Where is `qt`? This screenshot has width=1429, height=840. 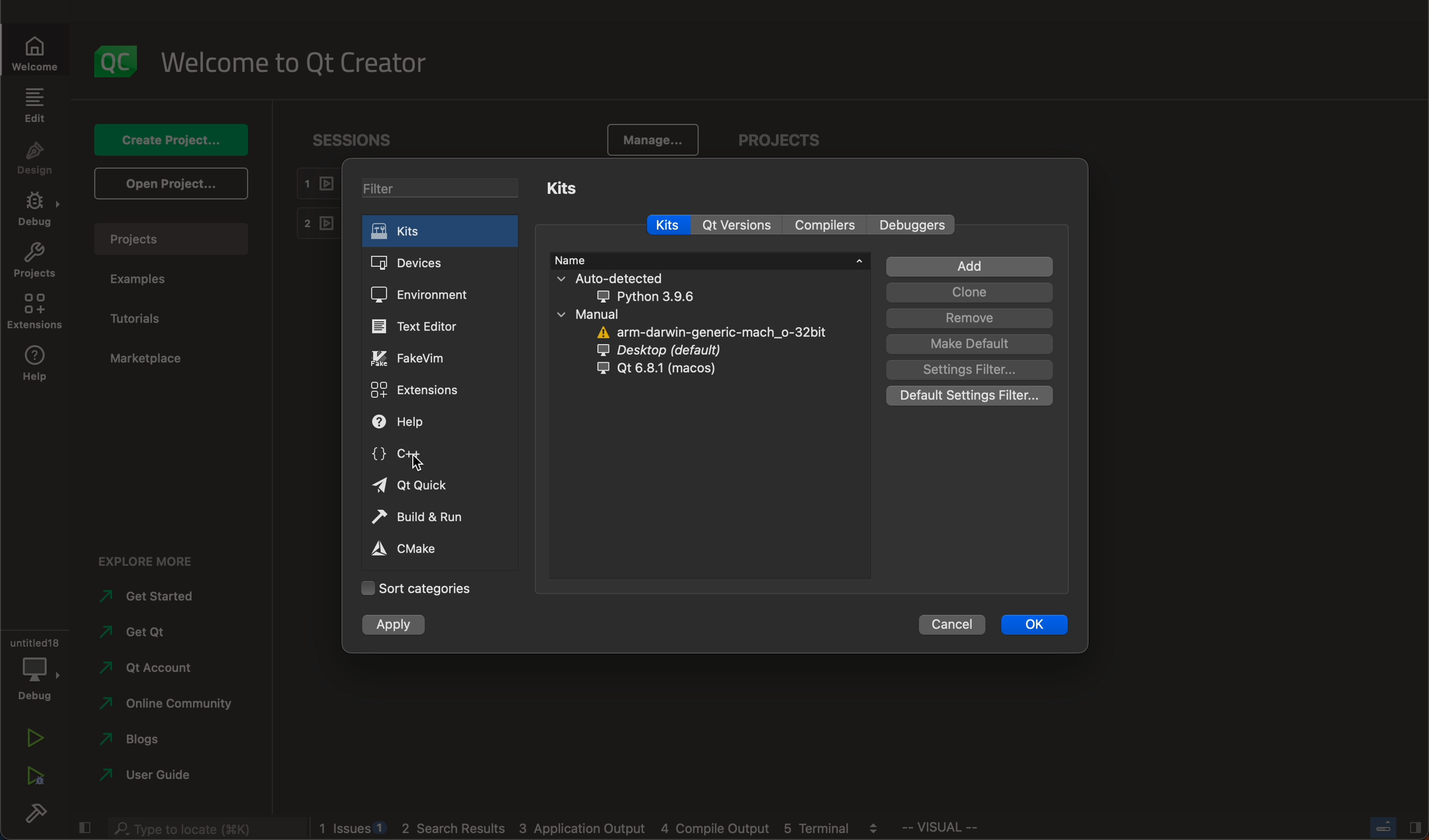 qt is located at coordinates (143, 637).